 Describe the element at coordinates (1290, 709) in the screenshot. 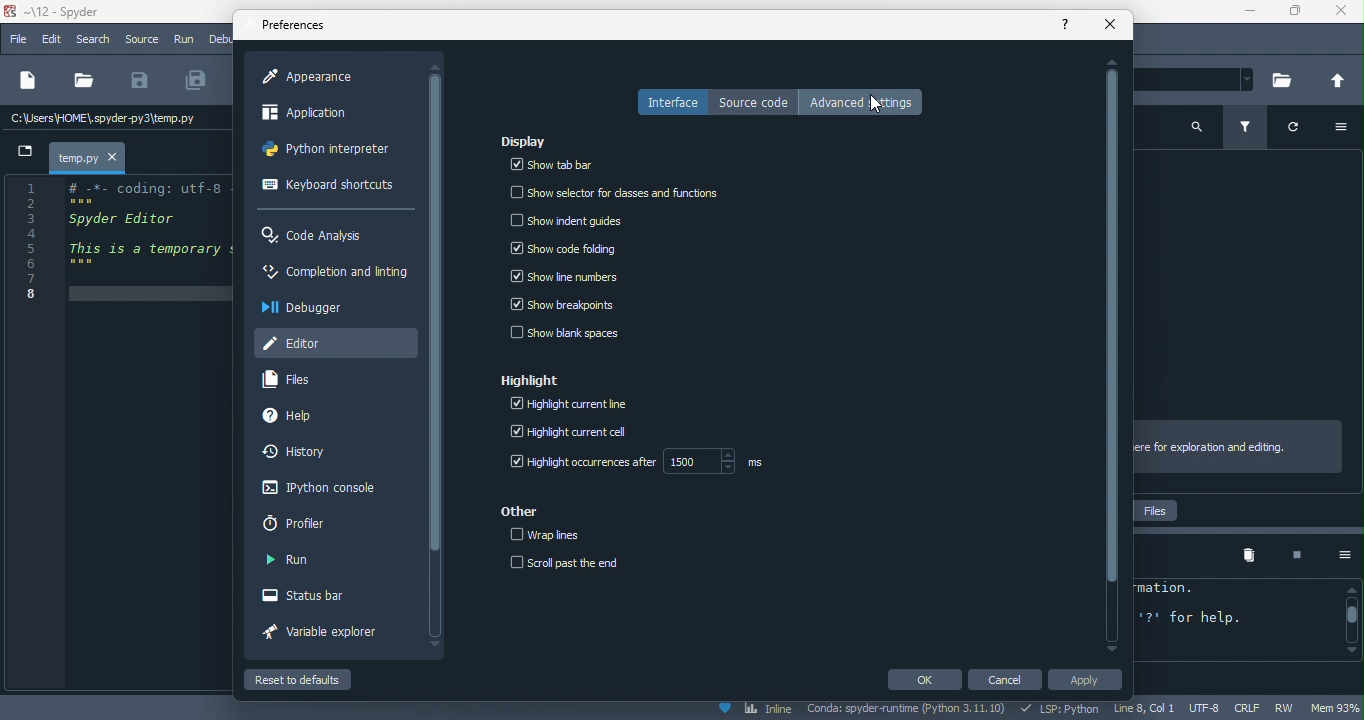

I see `rw` at that location.